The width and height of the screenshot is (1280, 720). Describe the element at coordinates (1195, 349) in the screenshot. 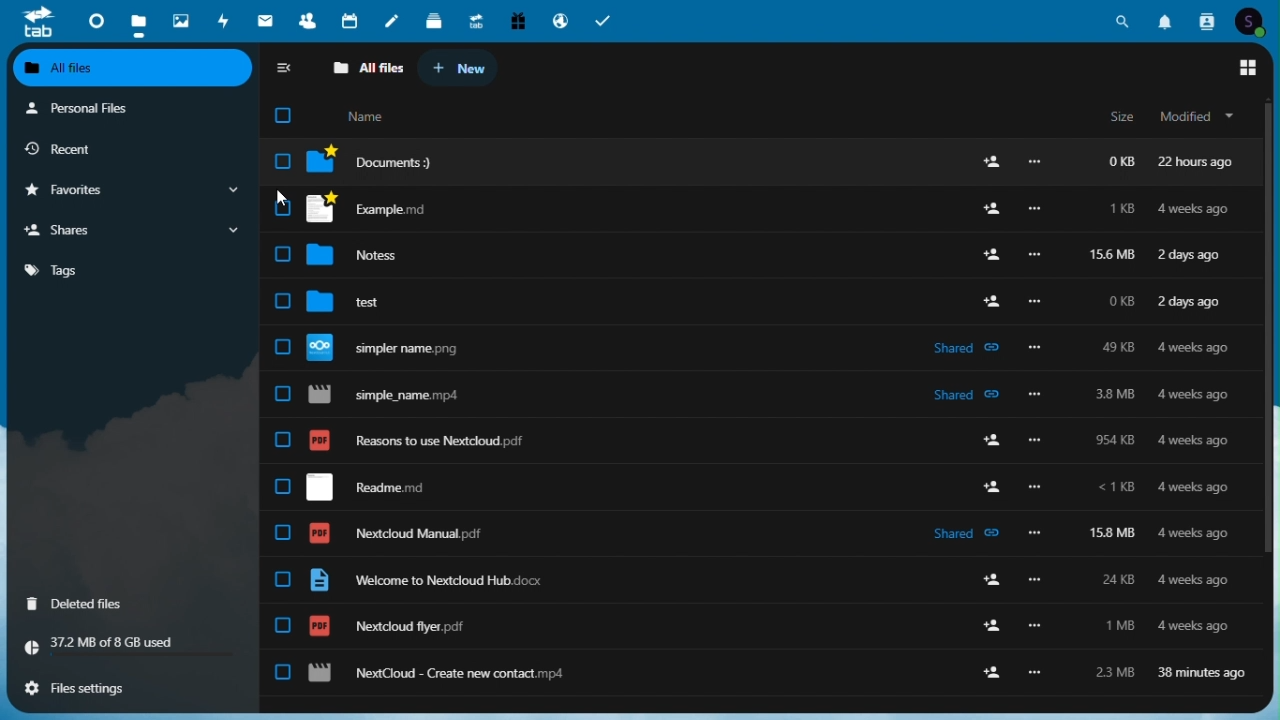

I see `4 weeks ago` at that location.